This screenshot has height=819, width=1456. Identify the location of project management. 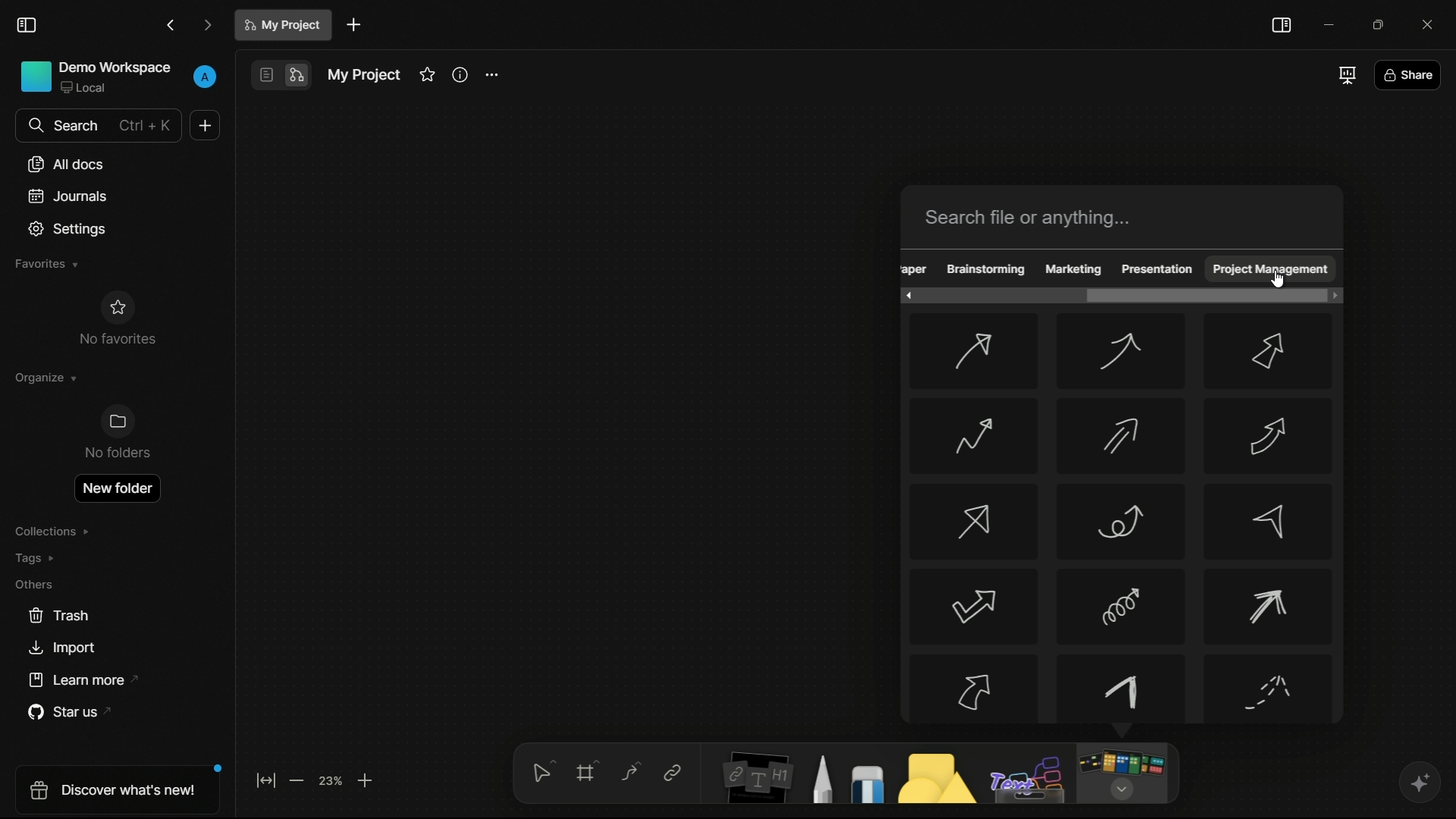
(1271, 270).